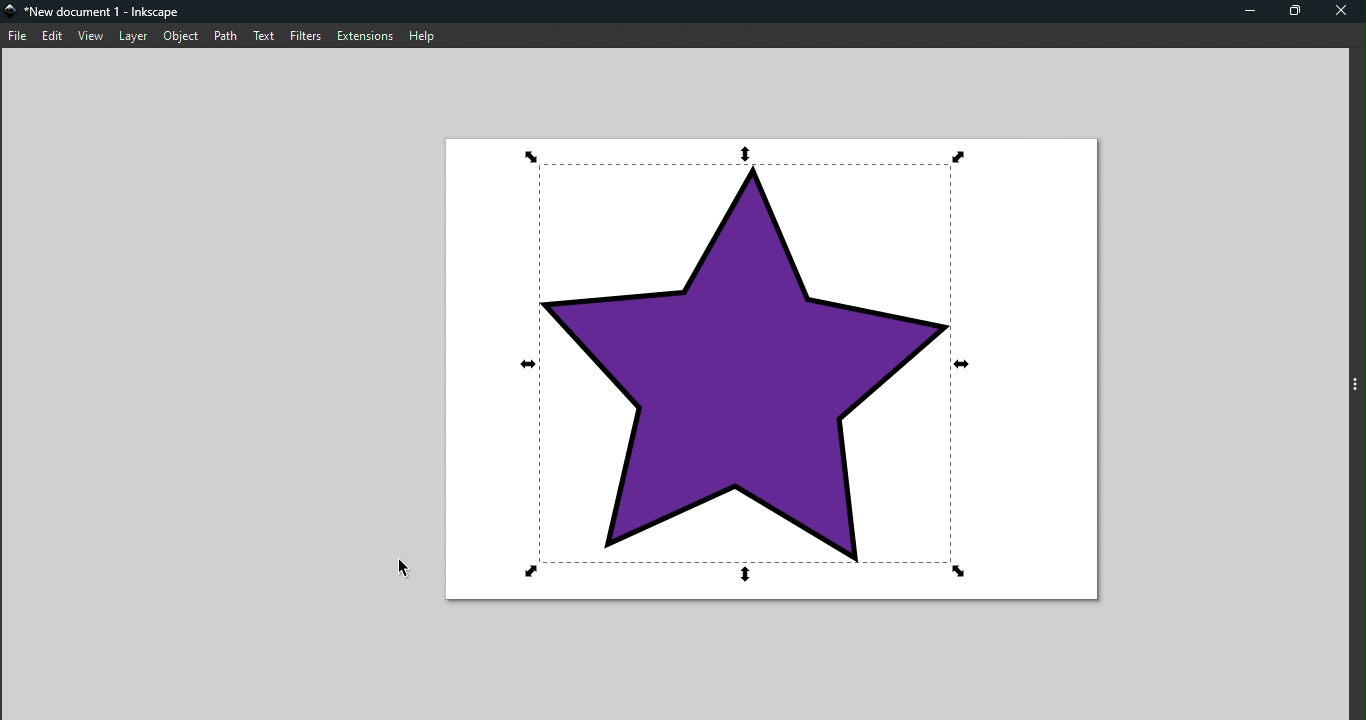 This screenshot has width=1366, height=720. I want to click on Layer, so click(134, 36).